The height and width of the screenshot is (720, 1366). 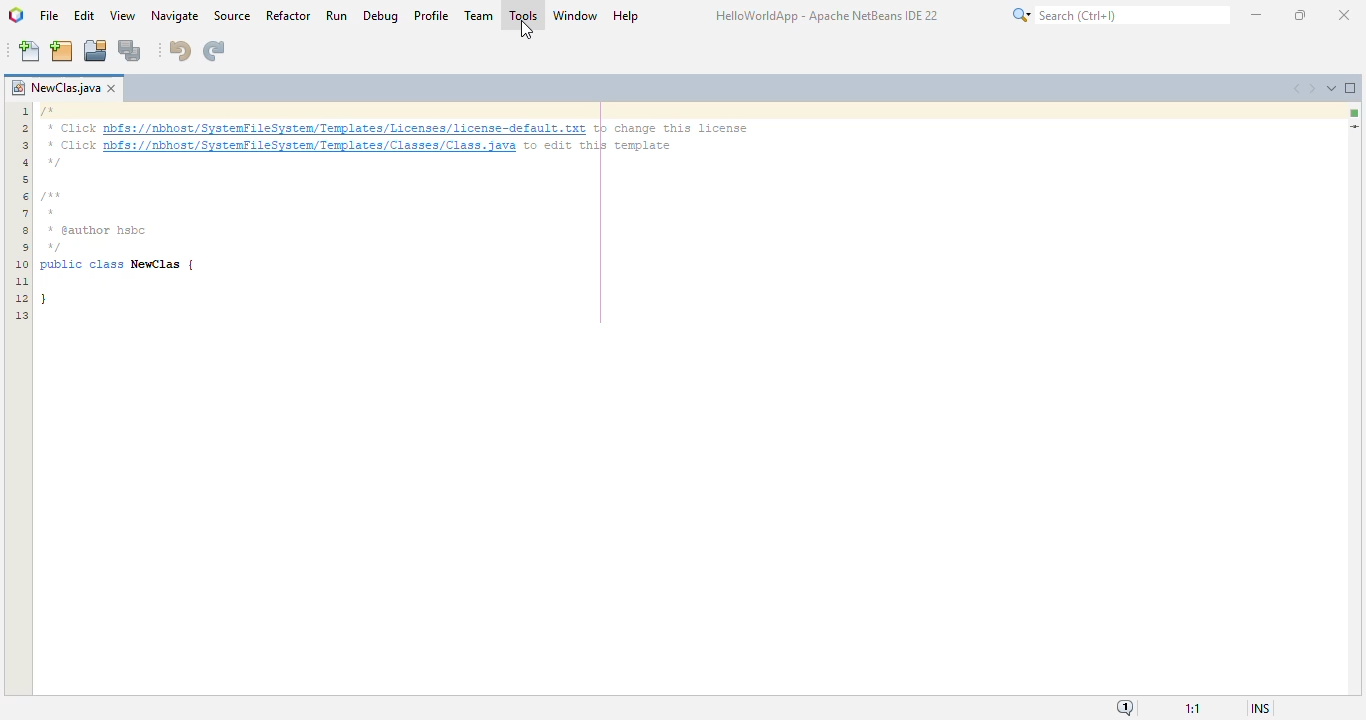 I want to click on redo, so click(x=215, y=51).